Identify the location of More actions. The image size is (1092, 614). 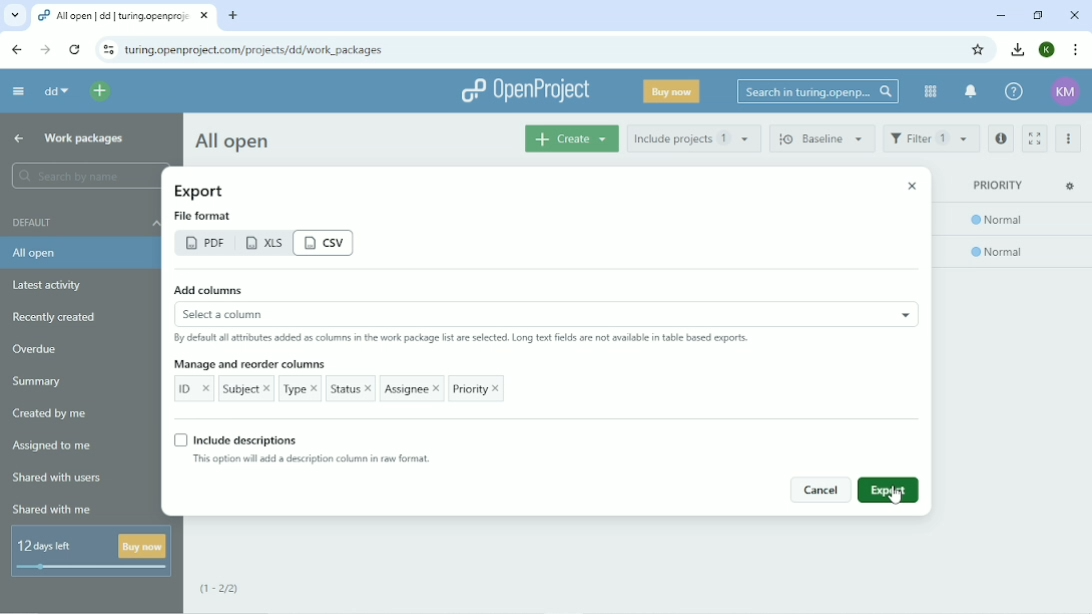
(1068, 140).